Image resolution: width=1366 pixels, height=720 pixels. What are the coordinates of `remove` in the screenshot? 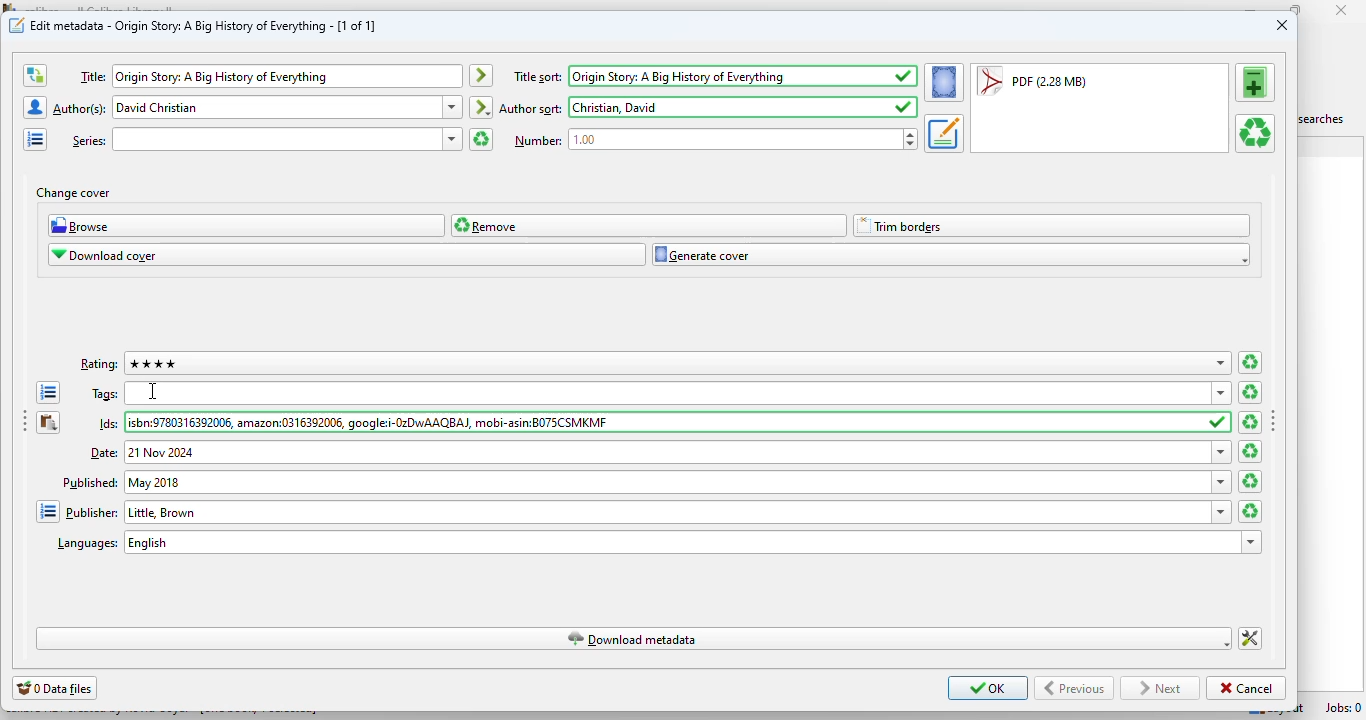 It's located at (650, 225).